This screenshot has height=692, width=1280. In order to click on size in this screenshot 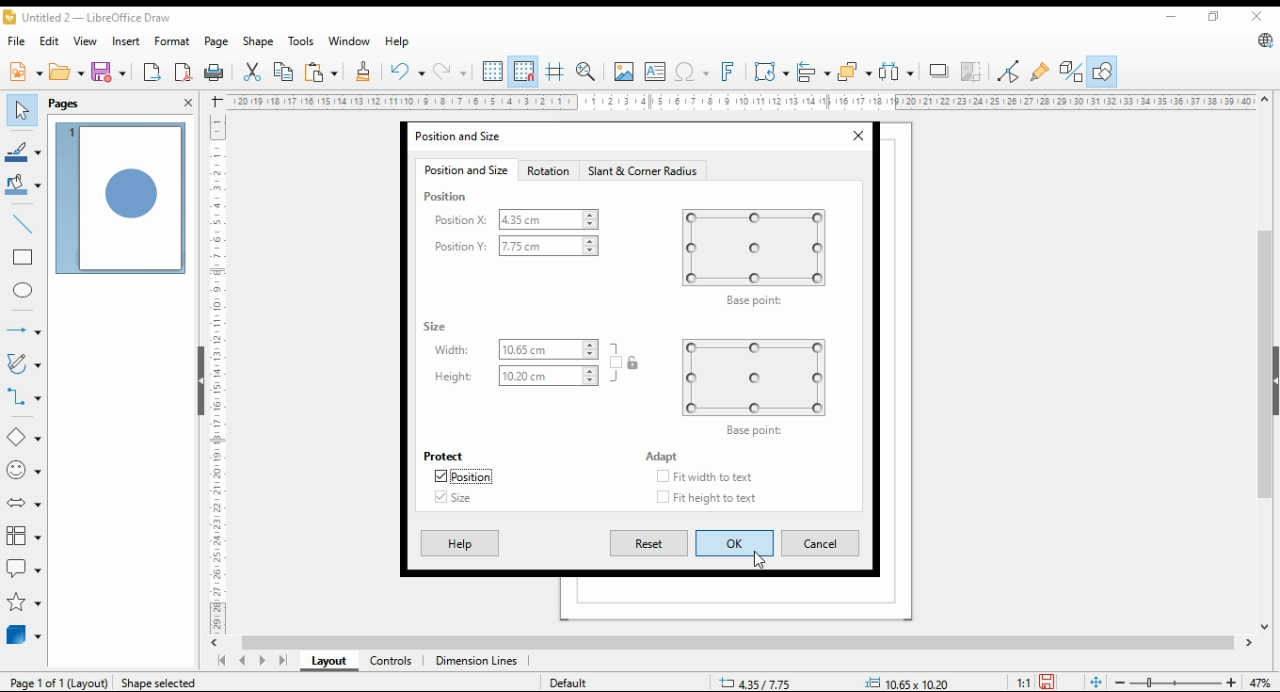, I will do `click(436, 328)`.